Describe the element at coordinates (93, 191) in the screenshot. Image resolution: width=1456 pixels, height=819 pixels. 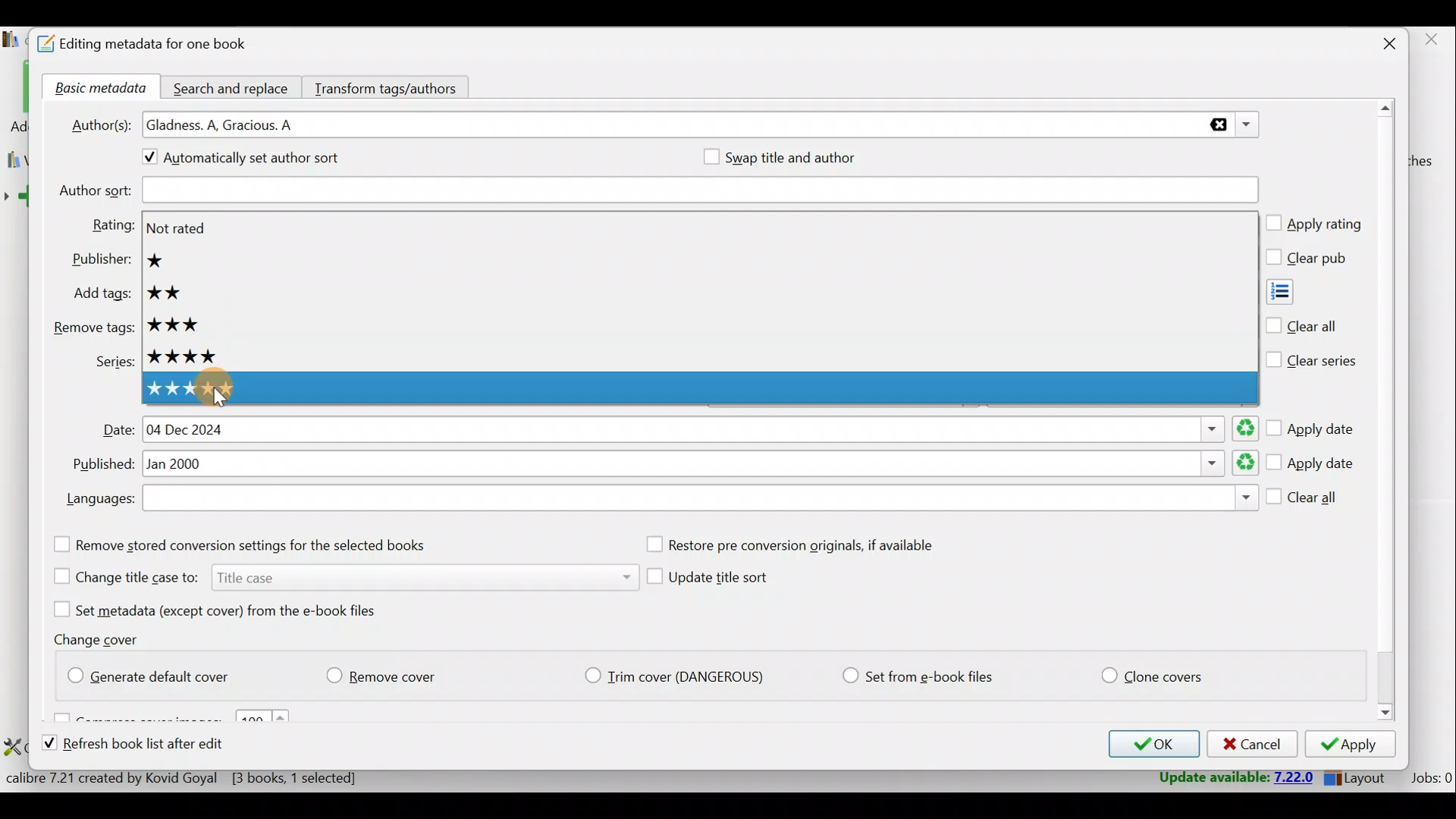
I see `Author sort:` at that location.